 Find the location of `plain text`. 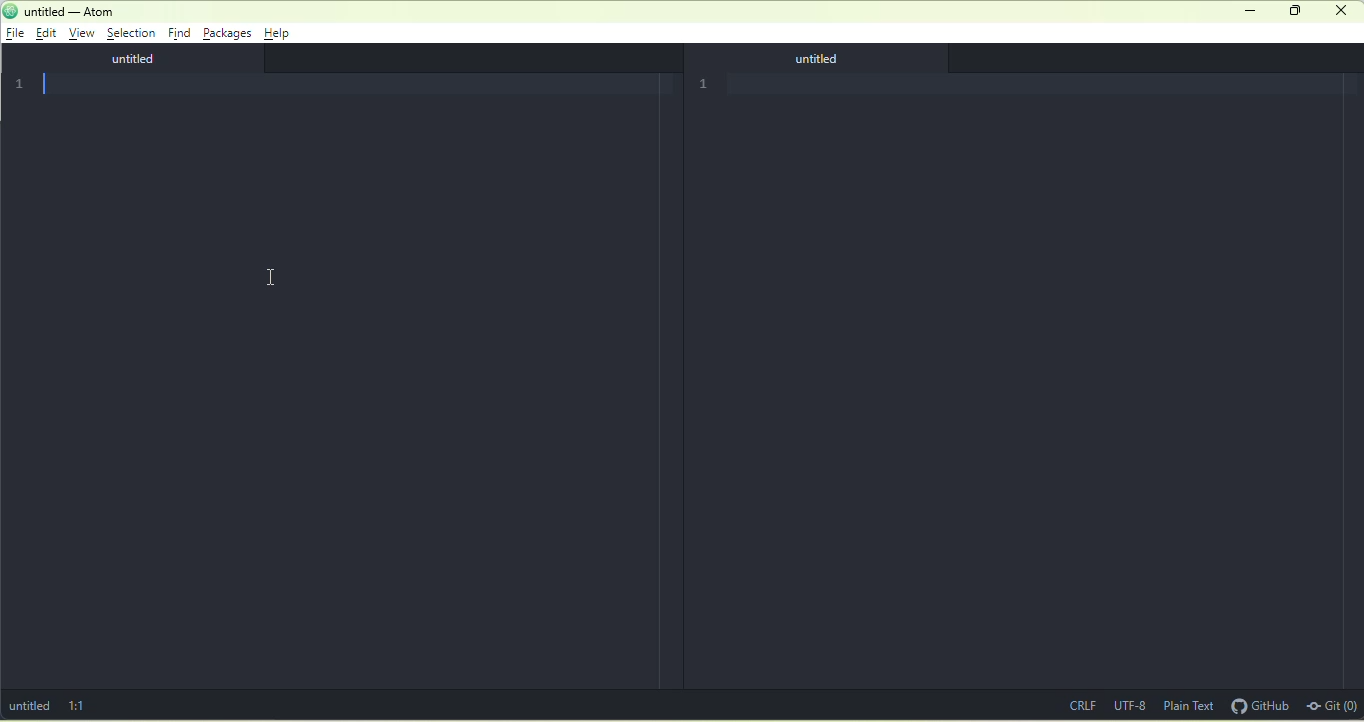

plain text is located at coordinates (1189, 706).